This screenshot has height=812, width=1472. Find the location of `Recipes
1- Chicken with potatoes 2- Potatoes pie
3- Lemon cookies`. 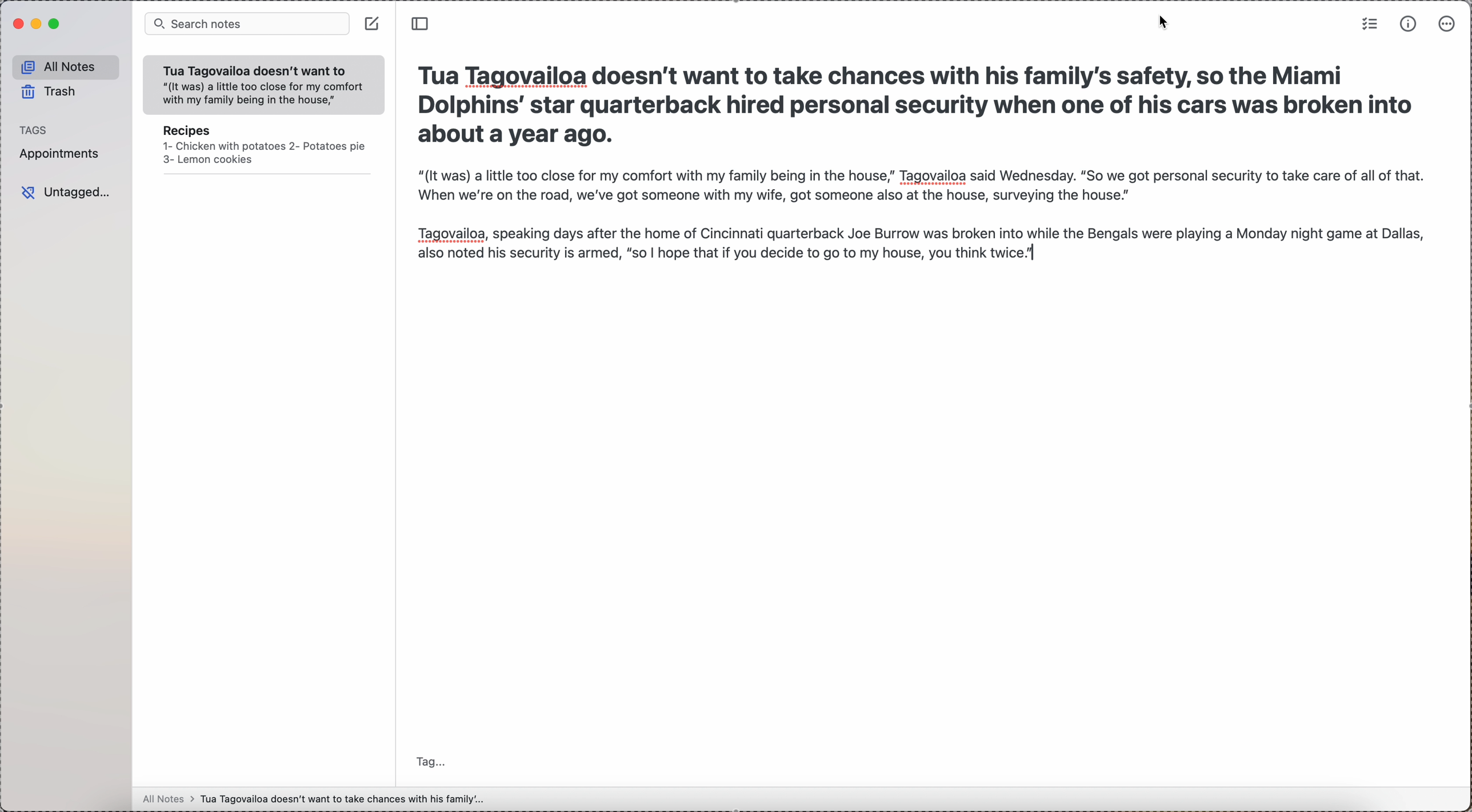

Recipes
1- Chicken with potatoes 2- Potatoes pie
3- Lemon cookies is located at coordinates (262, 150).